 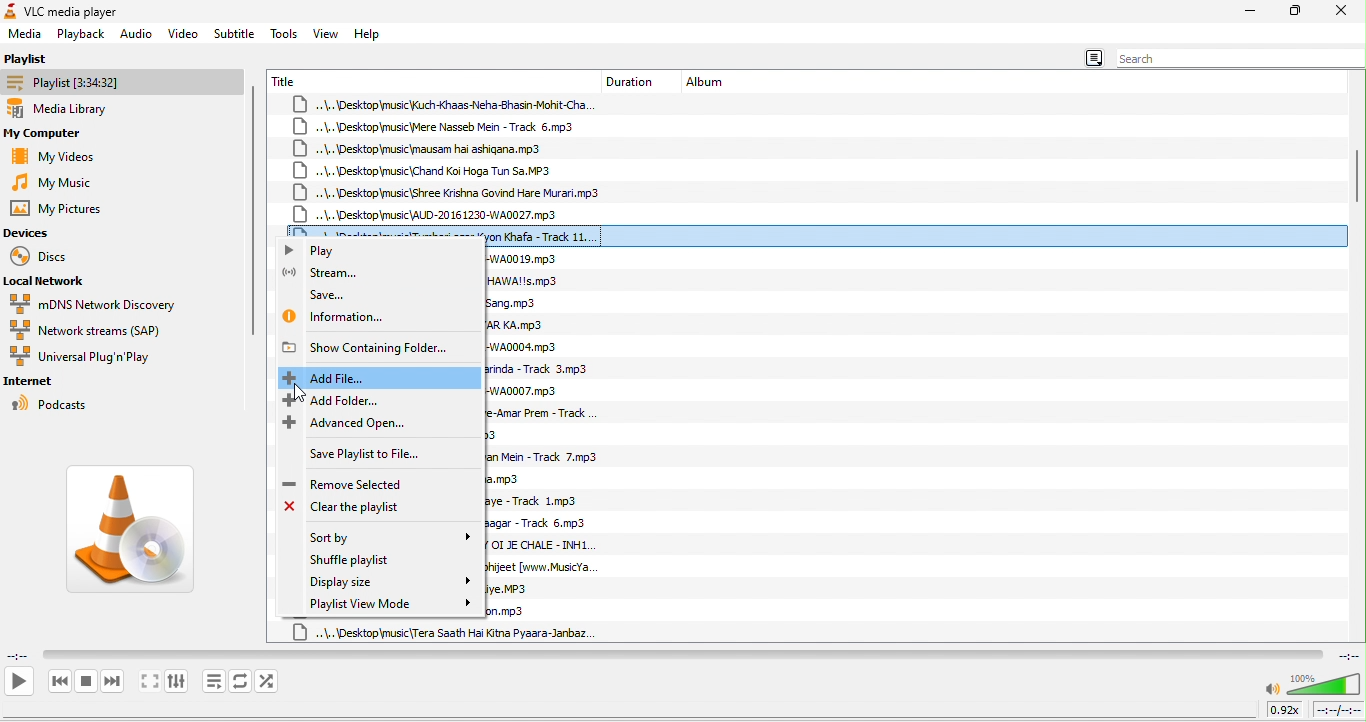 I want to click on +.\..\Desktop\music\AUD-20170113-WA0007.mp3, so click(x=531, y=390).